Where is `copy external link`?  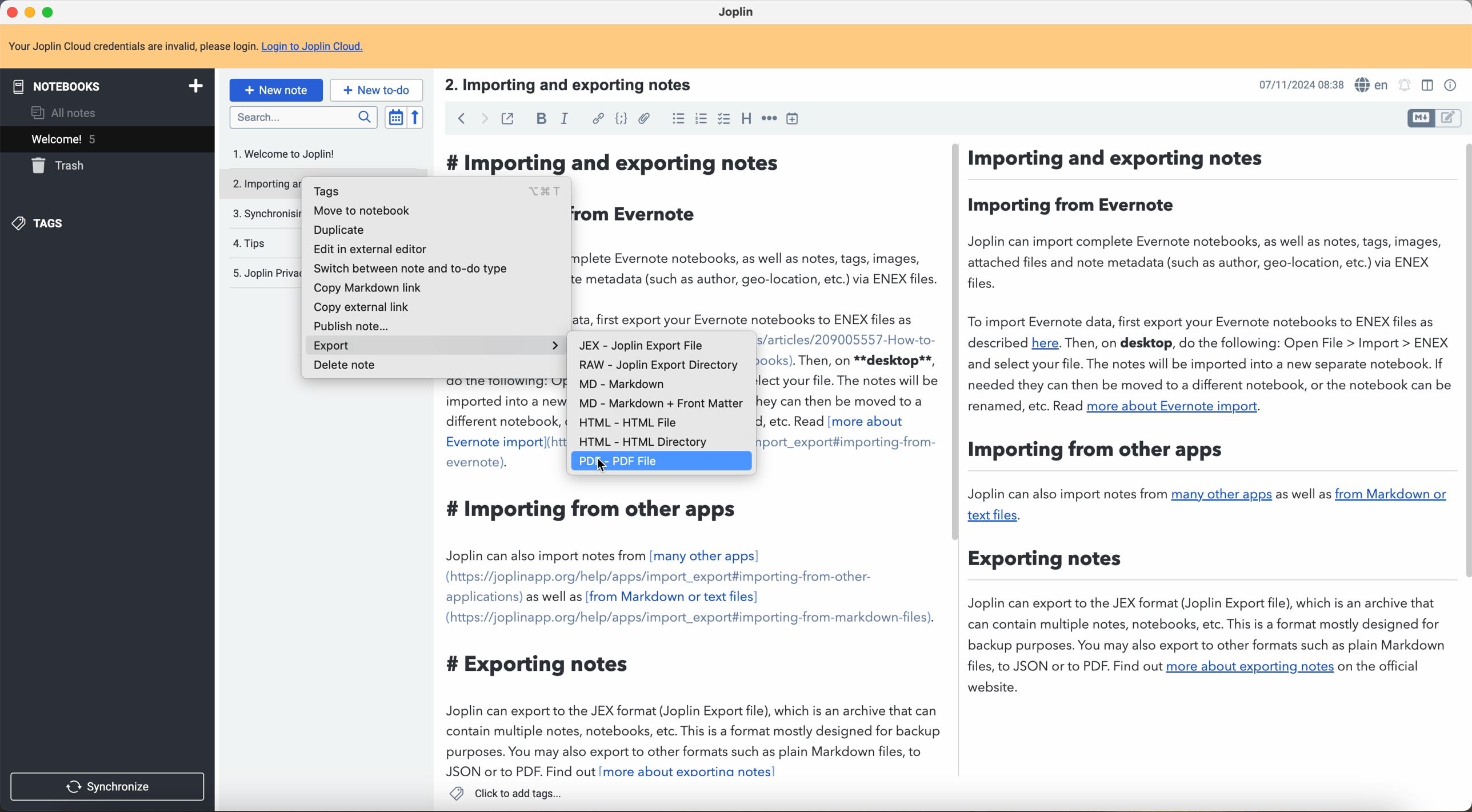
copy external link is located at coordinates (361, 306).